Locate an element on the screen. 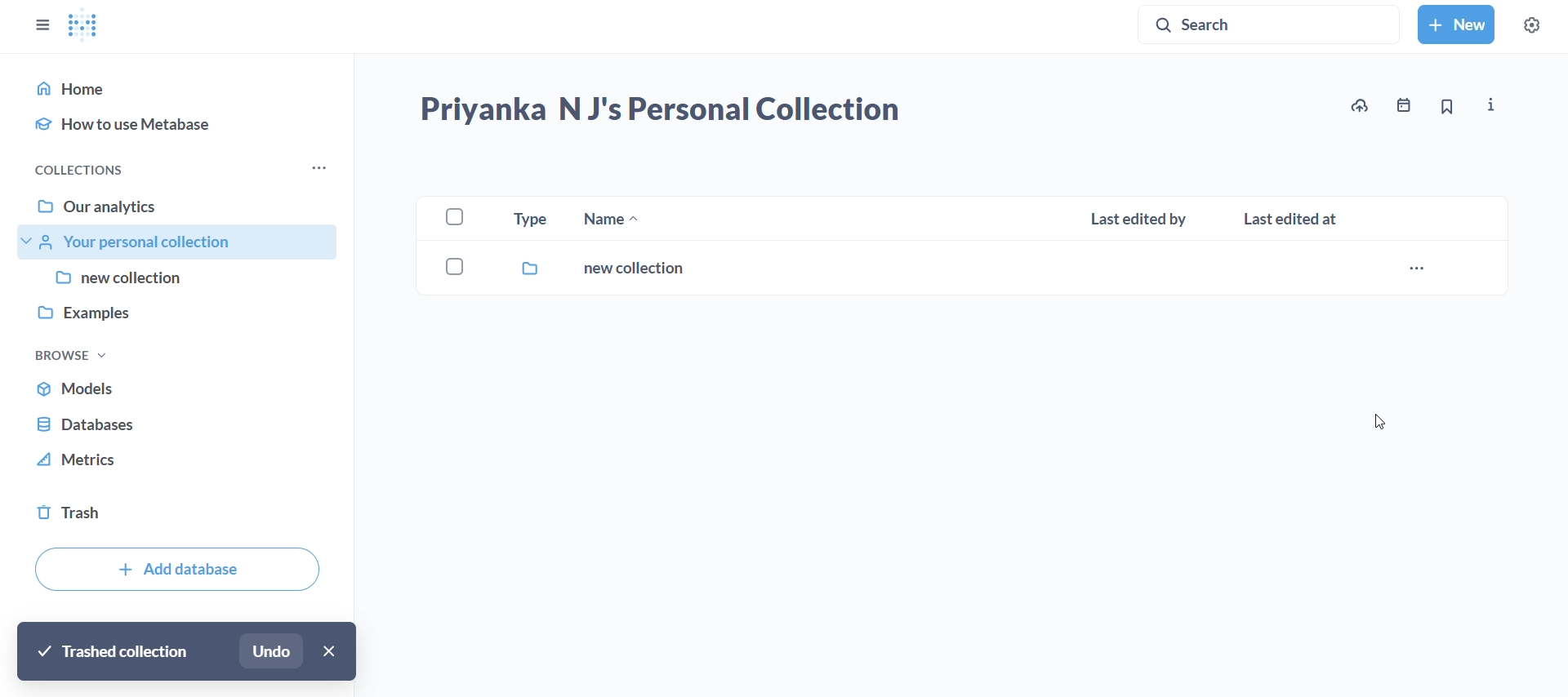 The width and height of the screenshot is (1568, 697). close is located at coordinates (327, 650).